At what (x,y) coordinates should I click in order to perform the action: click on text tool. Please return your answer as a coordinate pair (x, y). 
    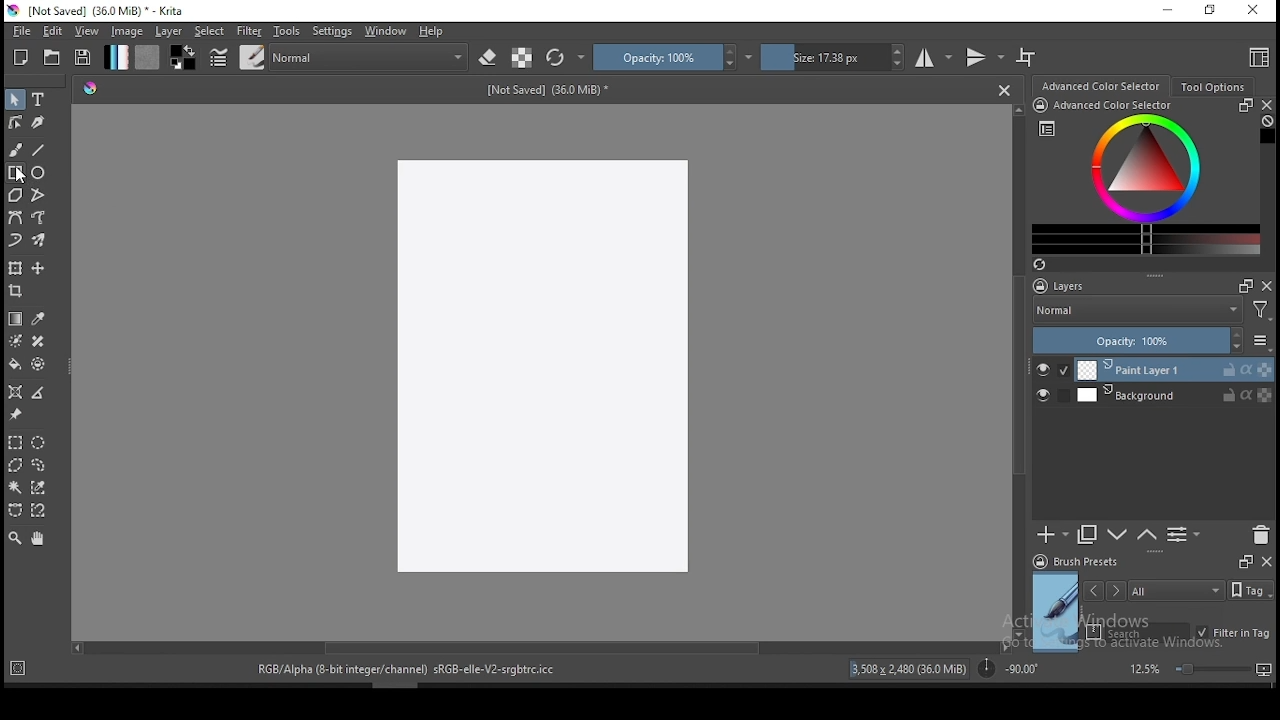
    Looking at the image, I should click on (39, 100).